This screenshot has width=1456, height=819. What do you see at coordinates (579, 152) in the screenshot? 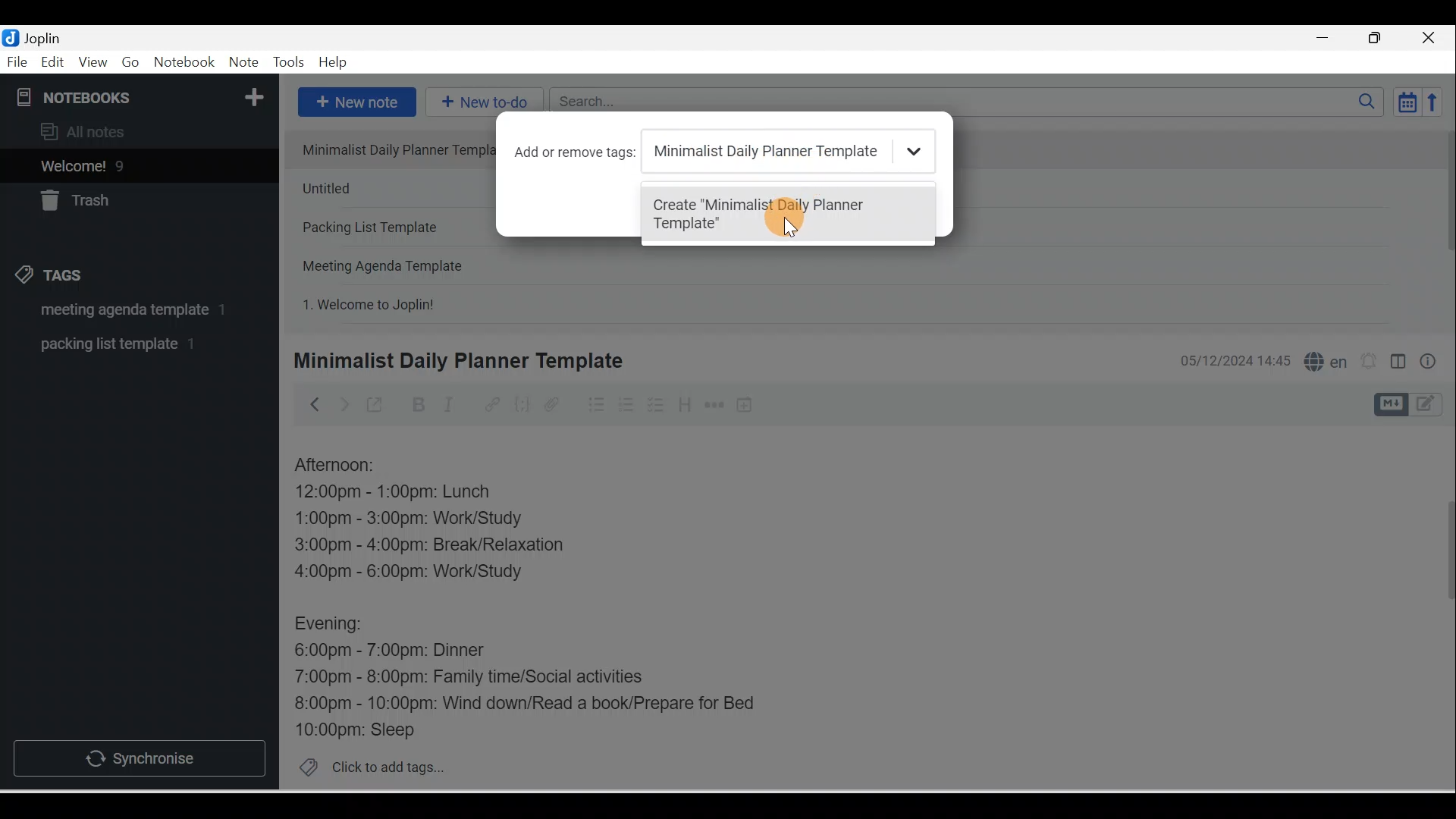
I see `Add or remove tags` at bounding box center [579, 152].